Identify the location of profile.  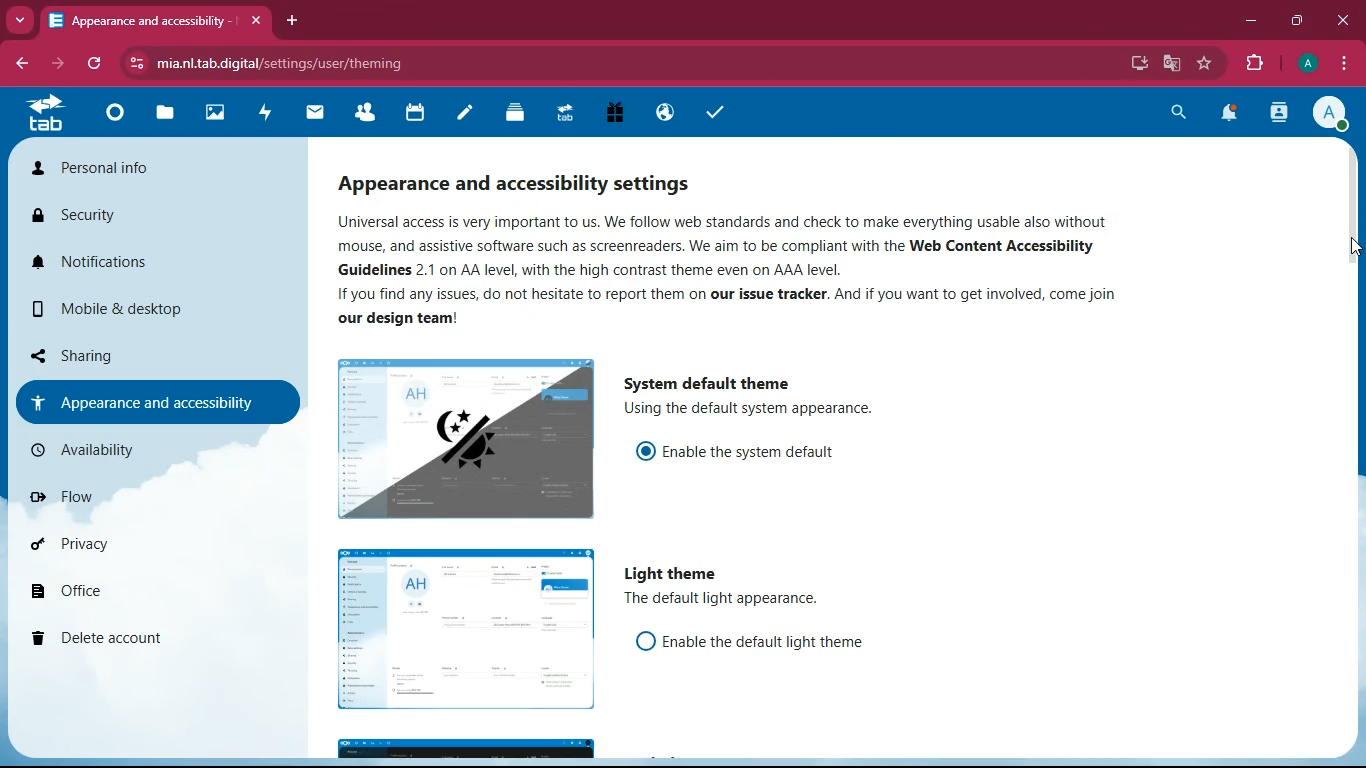
(1335, 115).